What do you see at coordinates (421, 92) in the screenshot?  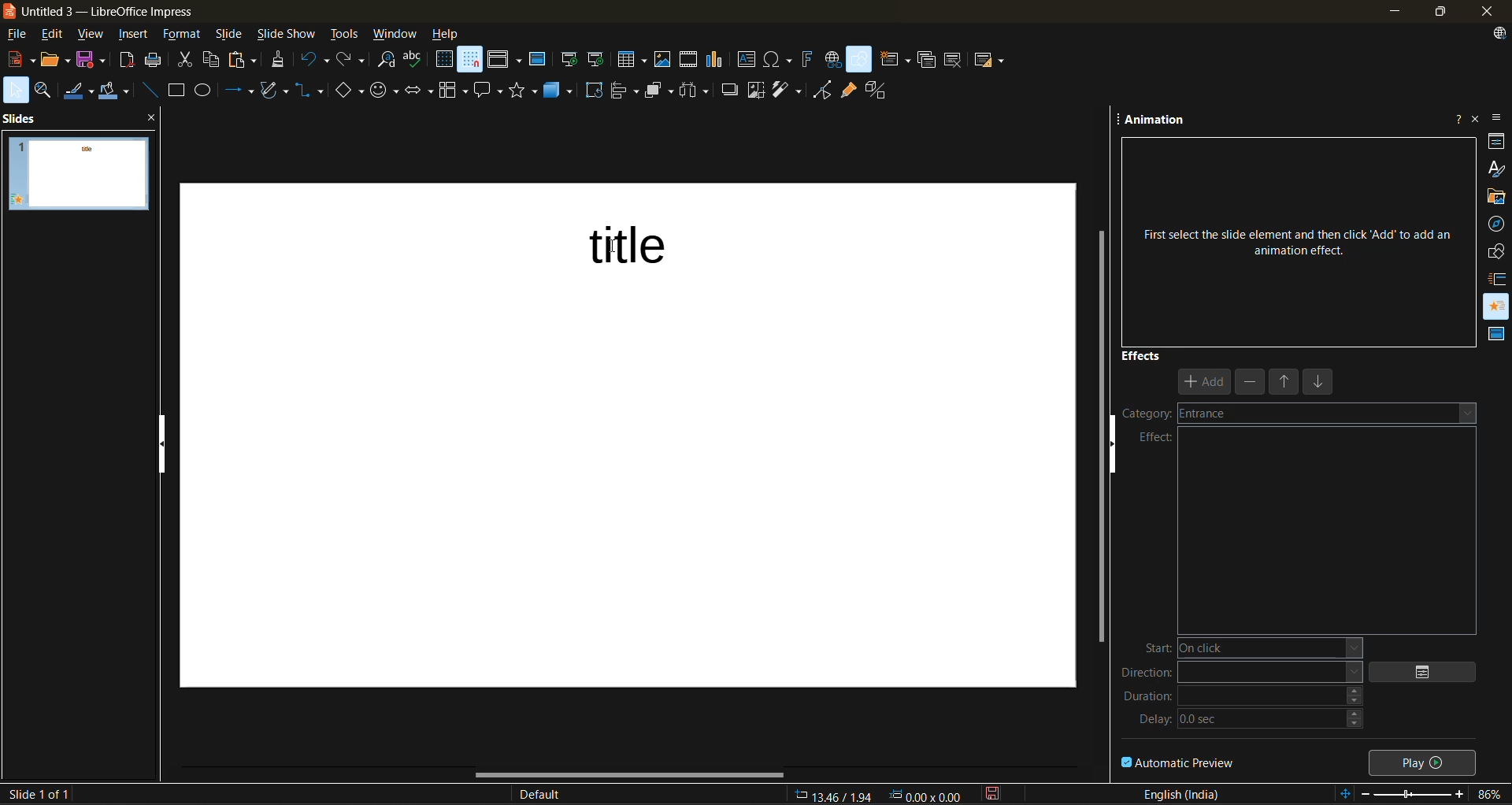 I see `block arrows` at bounding box center [421, 92].